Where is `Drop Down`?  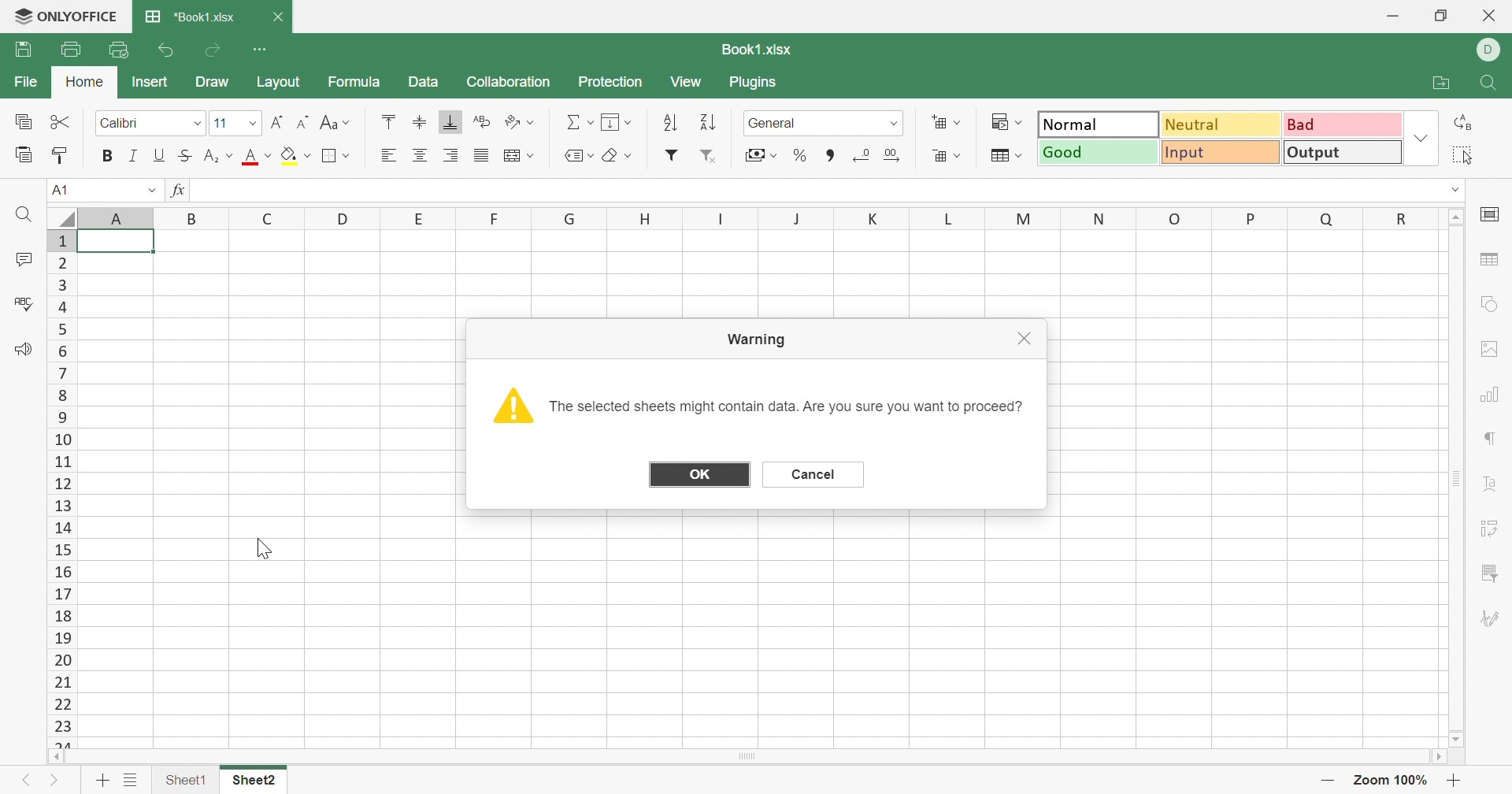 Drop Down is located at coordinates (231, 155).